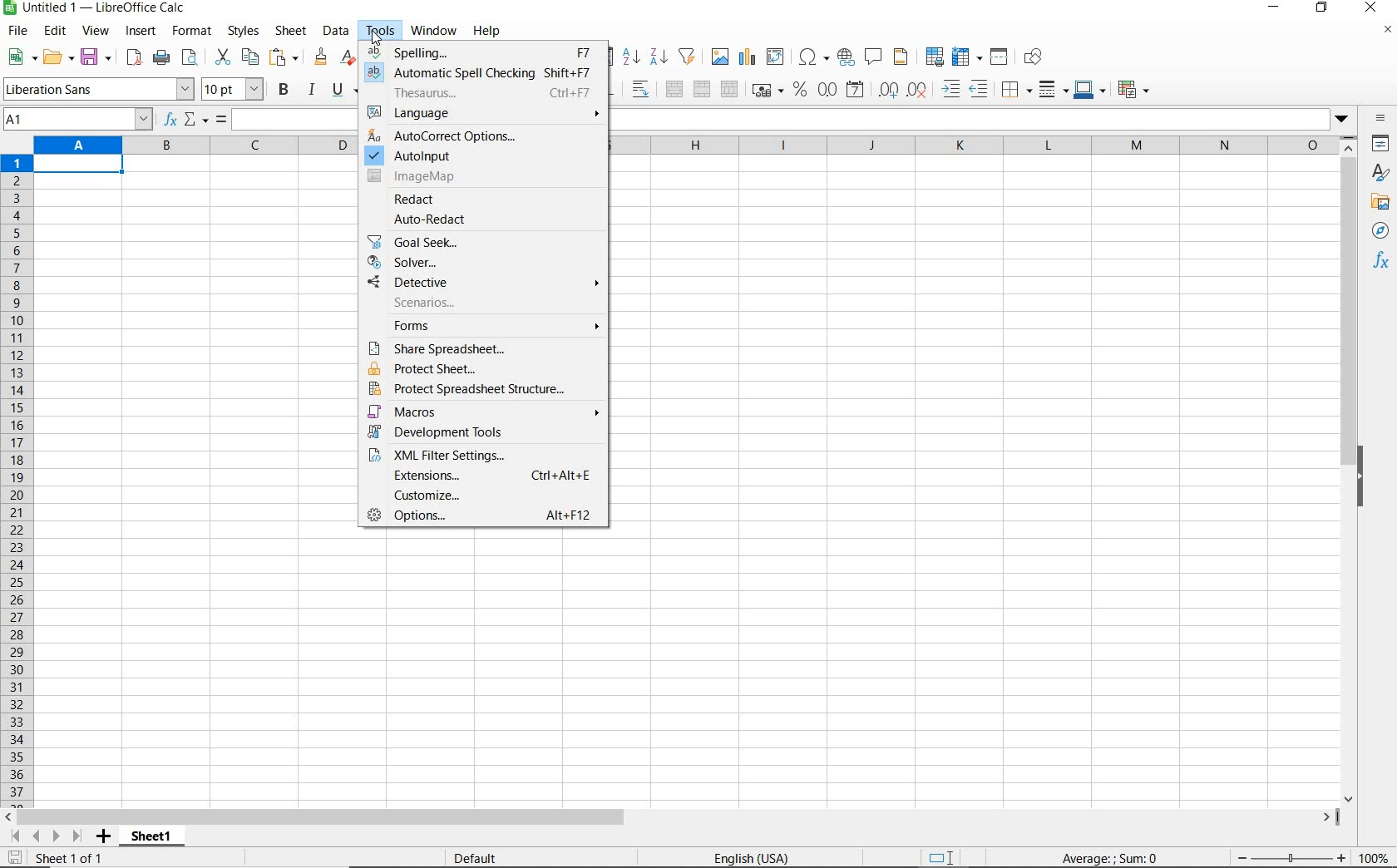 The height and width of the screenshot is (868, 1397). What do you see at coordinates (1382, 202) in the screenshot?
I see `gallery` at bounding box center [1382, 202].